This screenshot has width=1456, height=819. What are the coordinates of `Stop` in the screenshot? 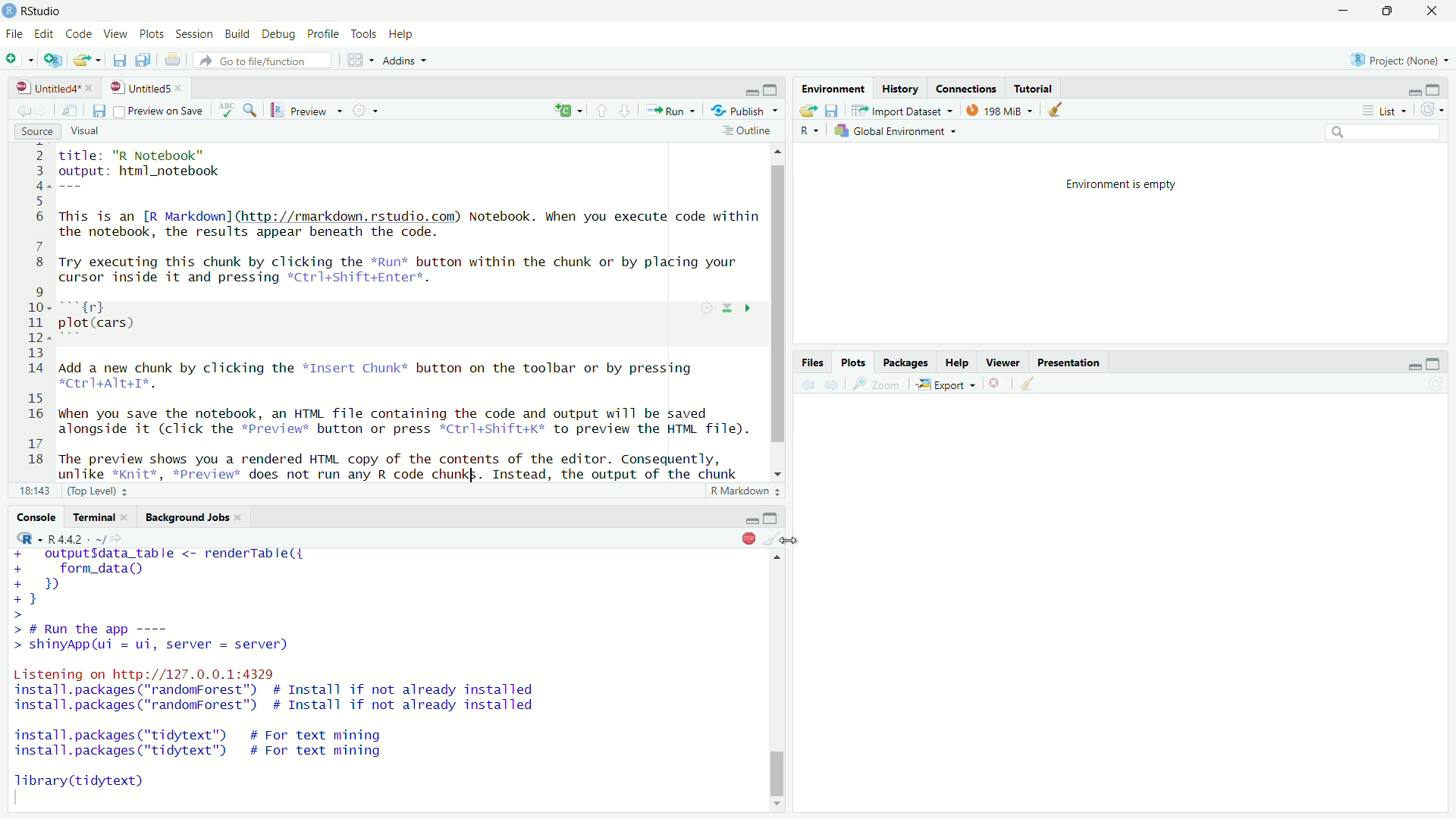 It's located at (748, 538).